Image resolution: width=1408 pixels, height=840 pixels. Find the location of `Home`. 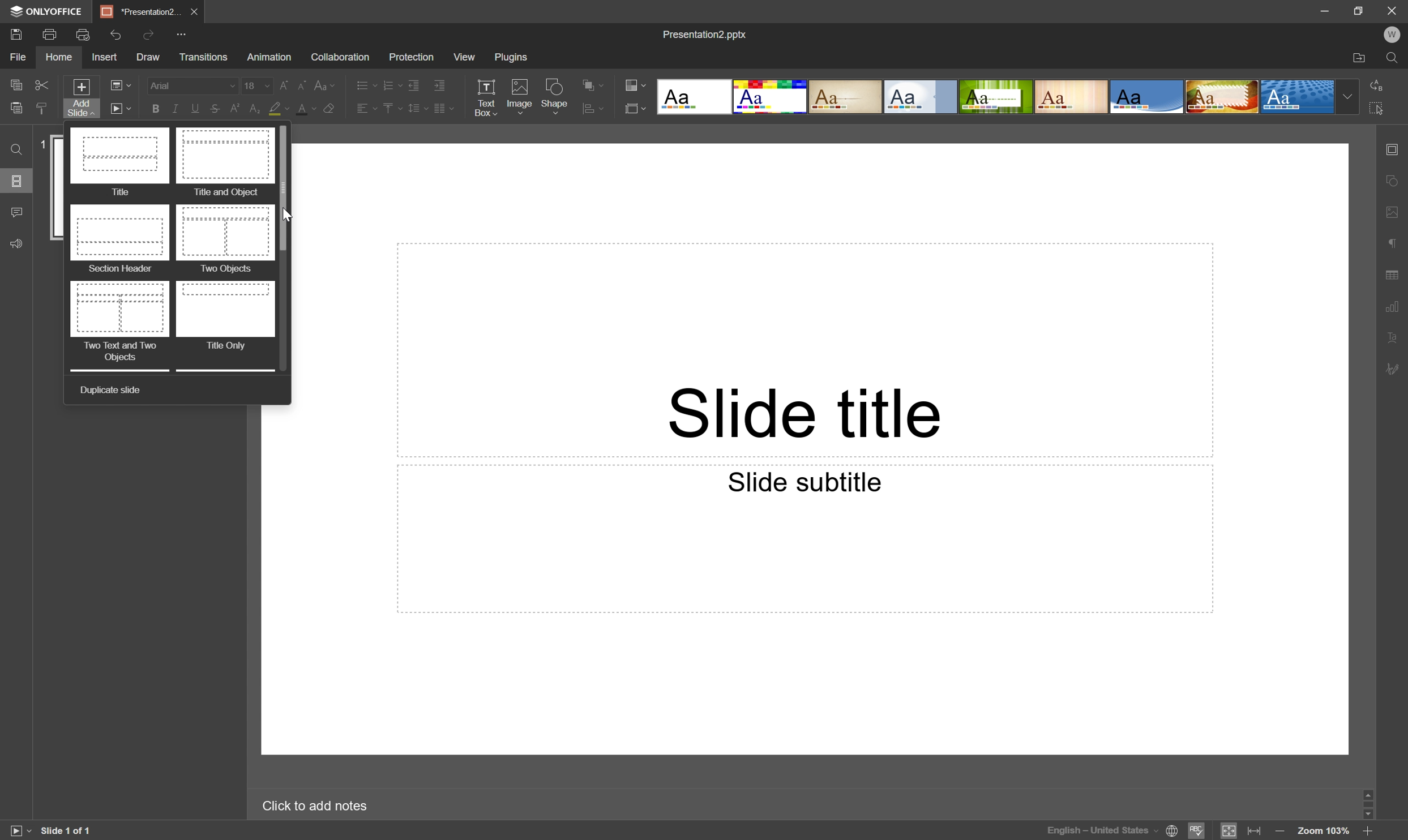

Home is located at coordinates (61, 58).